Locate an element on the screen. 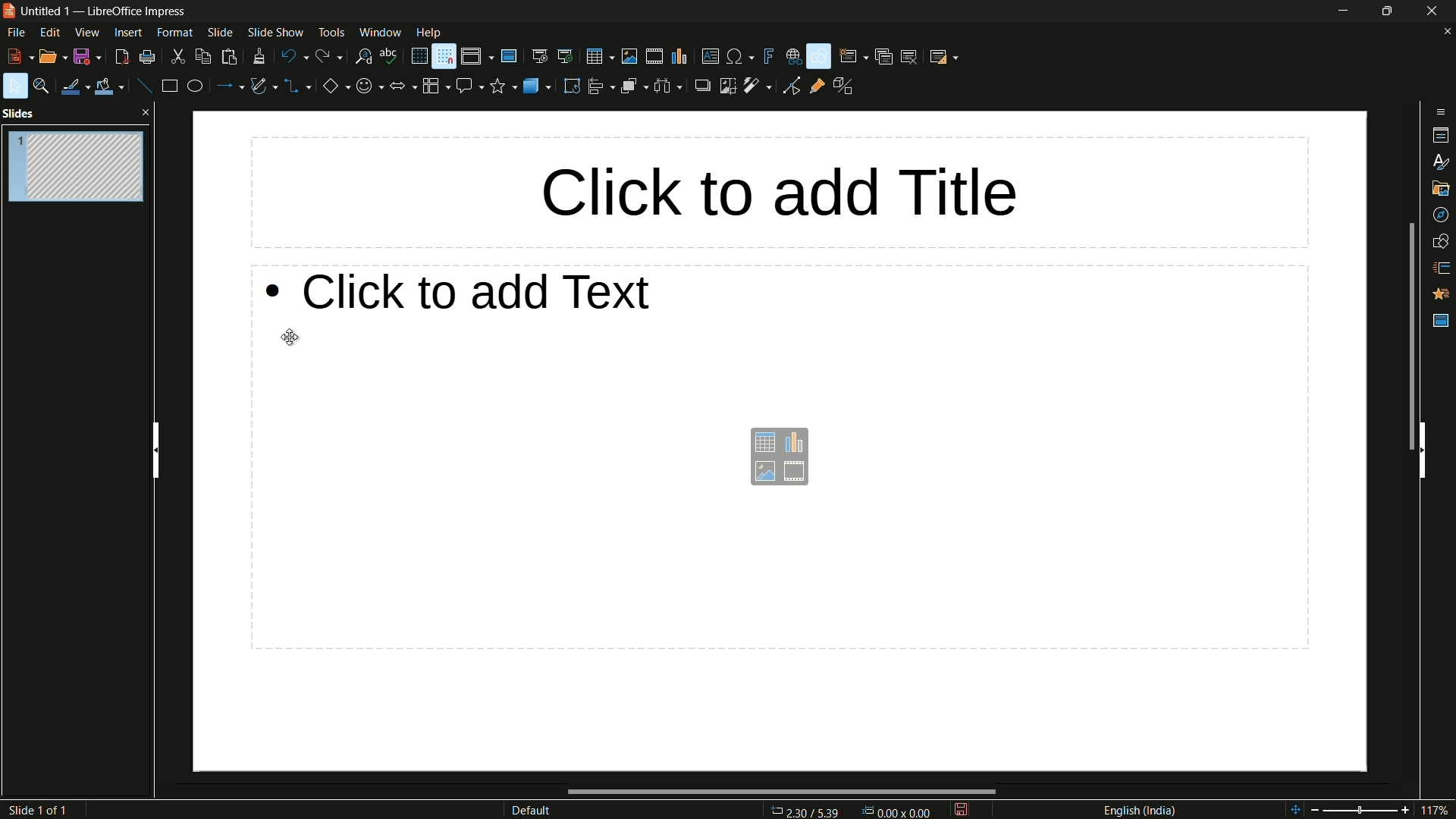 Image resolution: width=1456 pixels, height=819 pixels. filter is located at coordinates (758, 86).